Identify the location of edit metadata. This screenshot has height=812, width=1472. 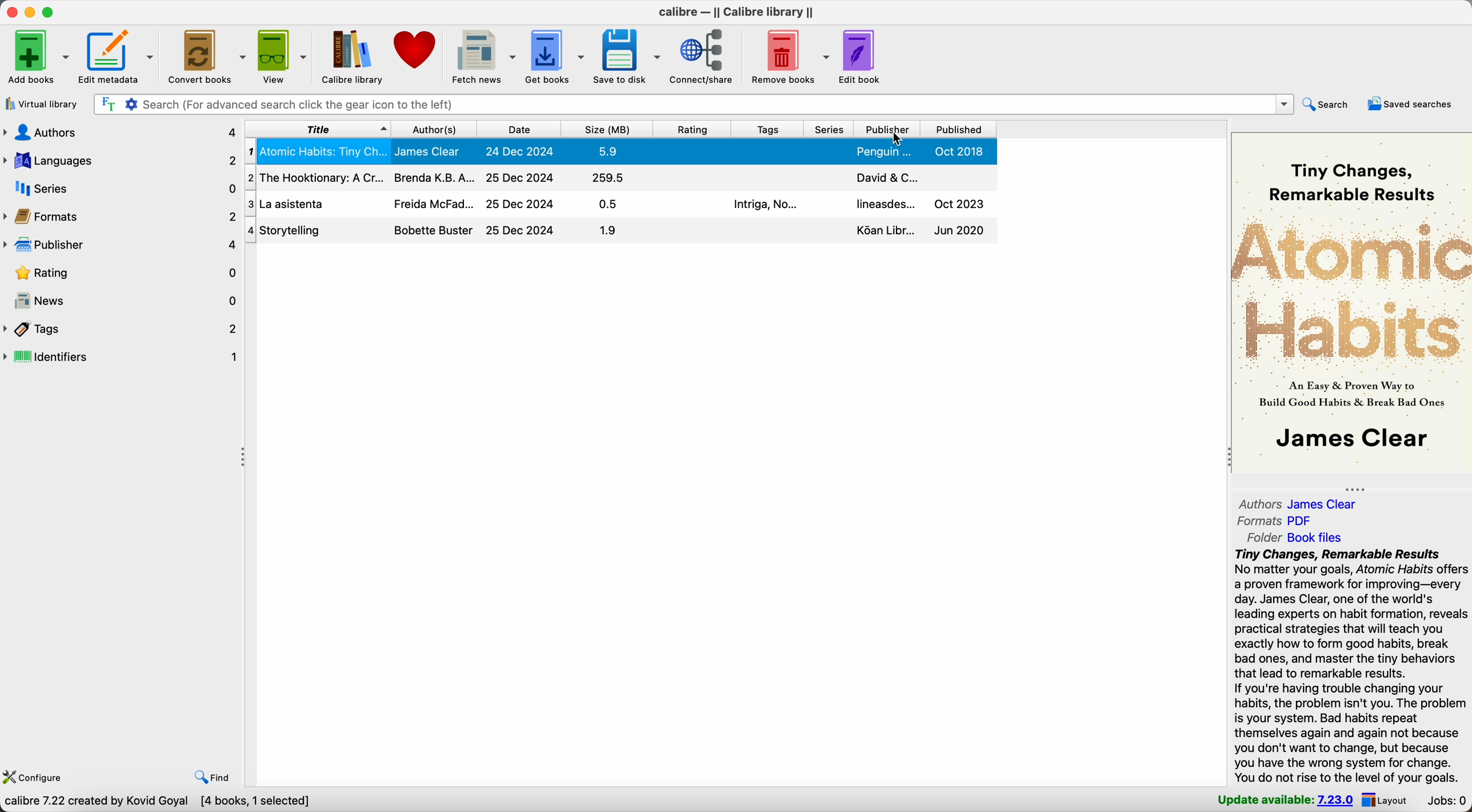
(119, 57).